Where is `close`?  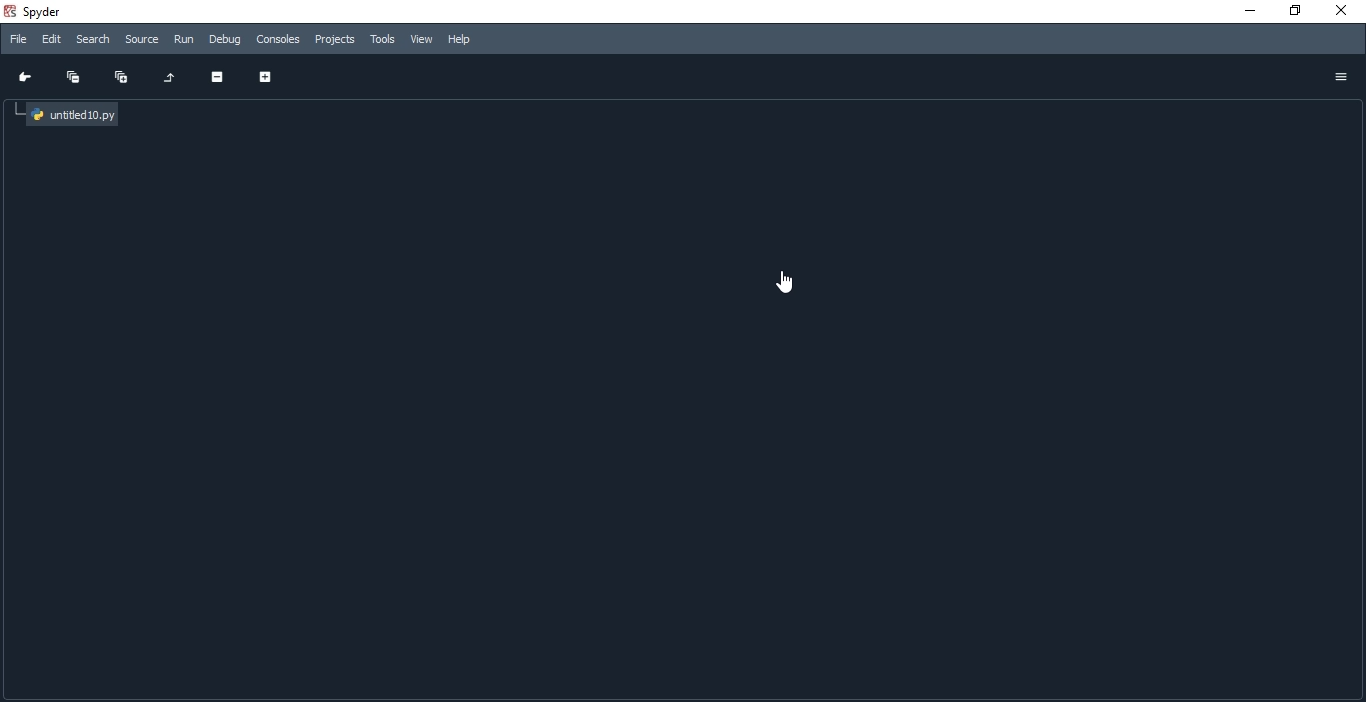 close is located at coordinates (1344, 14).